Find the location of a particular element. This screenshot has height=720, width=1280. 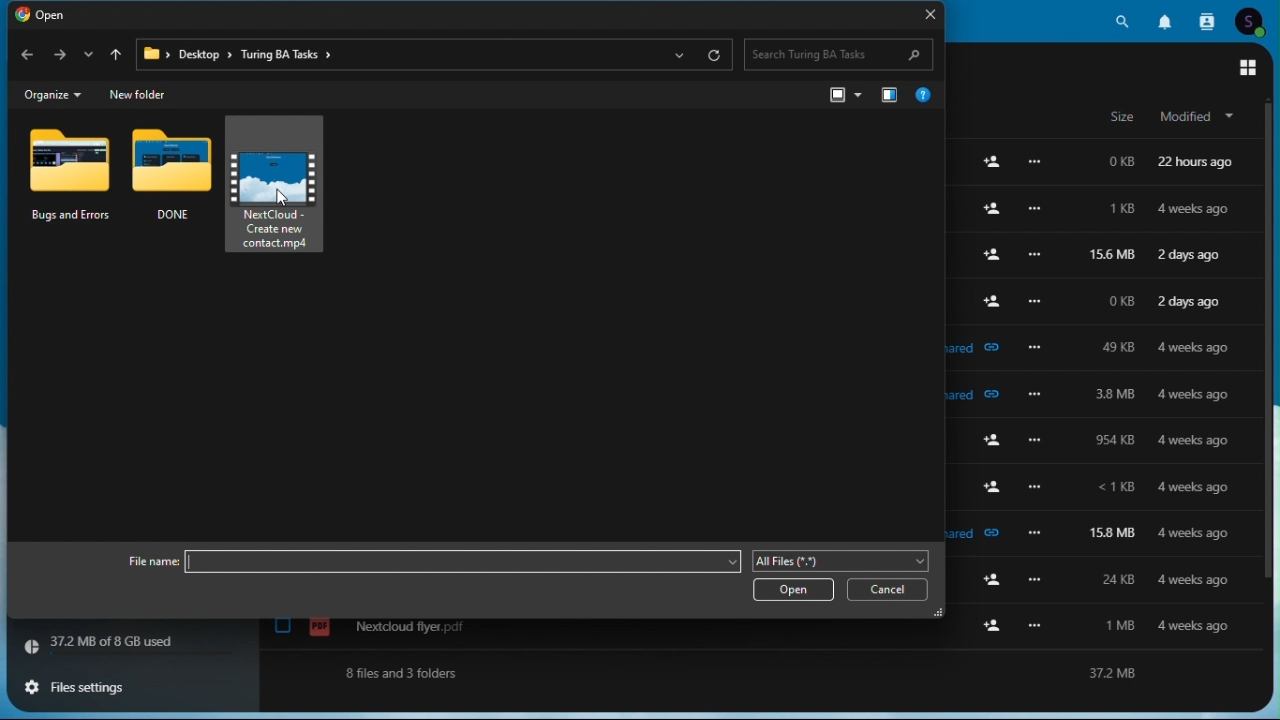

add user is located at coordinates (993, 441).